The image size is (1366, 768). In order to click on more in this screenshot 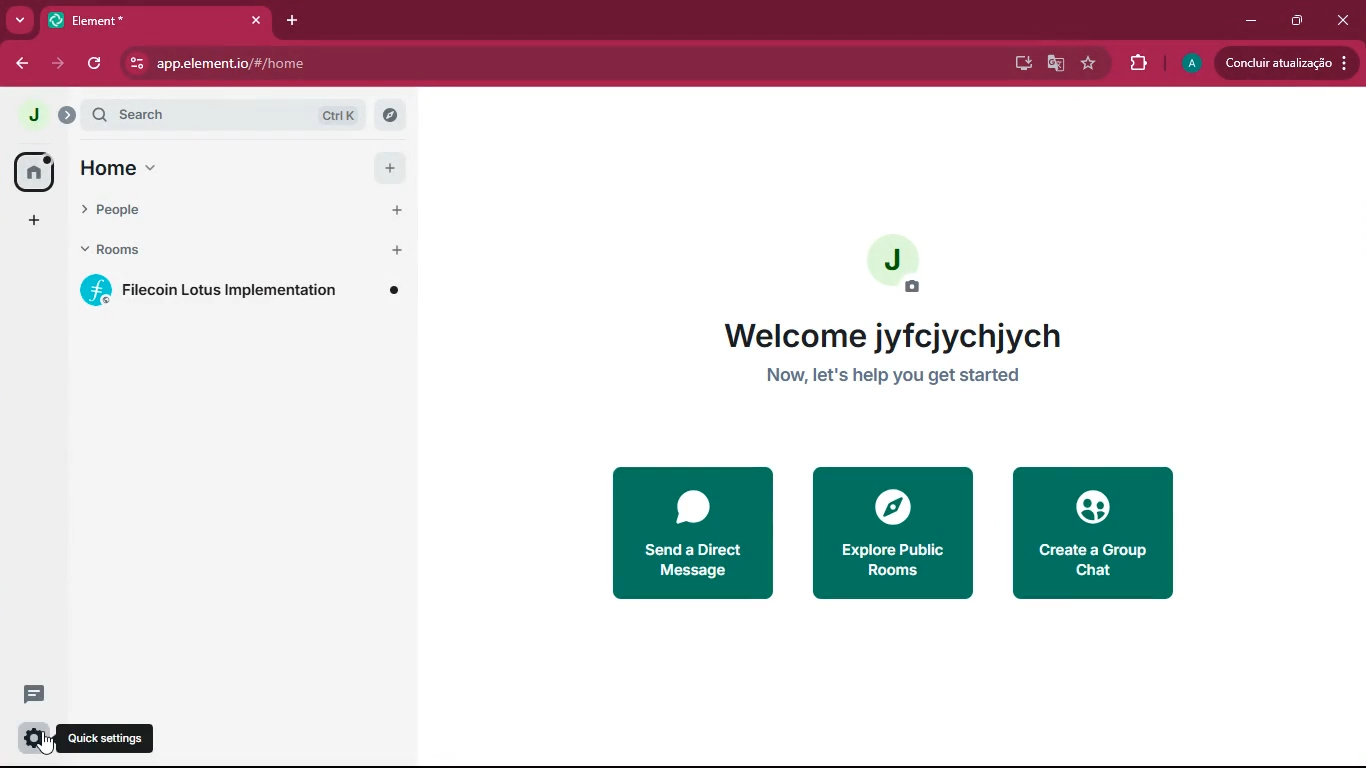, I will do `click(20, 21)`.